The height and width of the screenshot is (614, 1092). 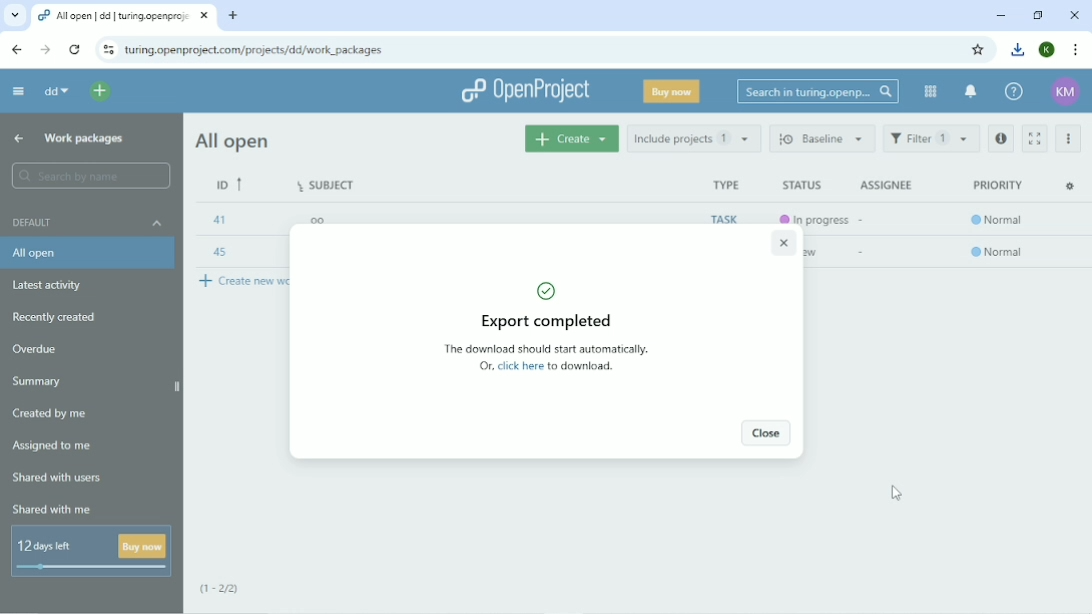 I want to click on Work packages, so click(x=84, y=140).